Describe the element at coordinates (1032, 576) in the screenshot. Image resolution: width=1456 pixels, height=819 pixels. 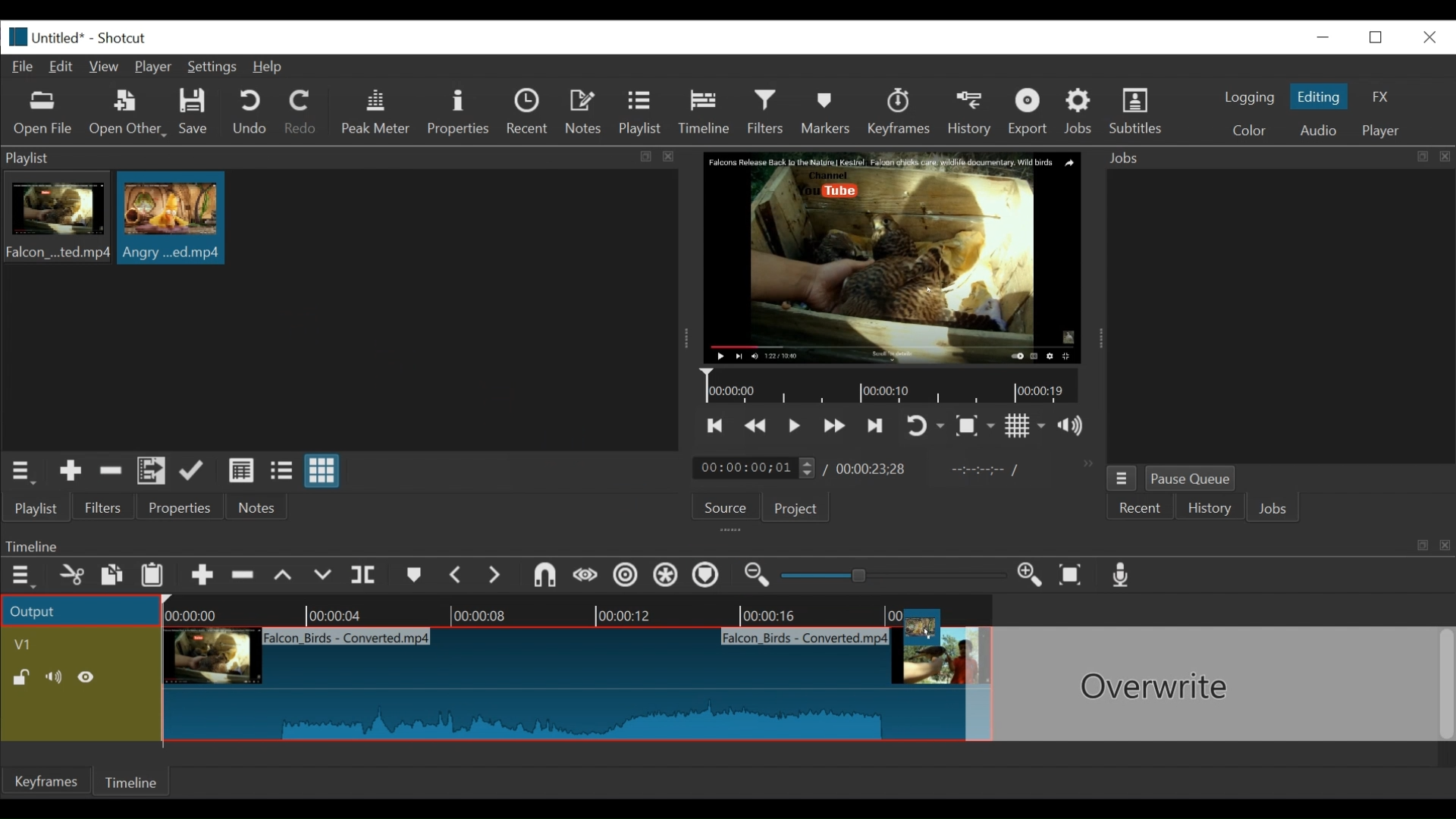
I see `Zoom in` at that location.